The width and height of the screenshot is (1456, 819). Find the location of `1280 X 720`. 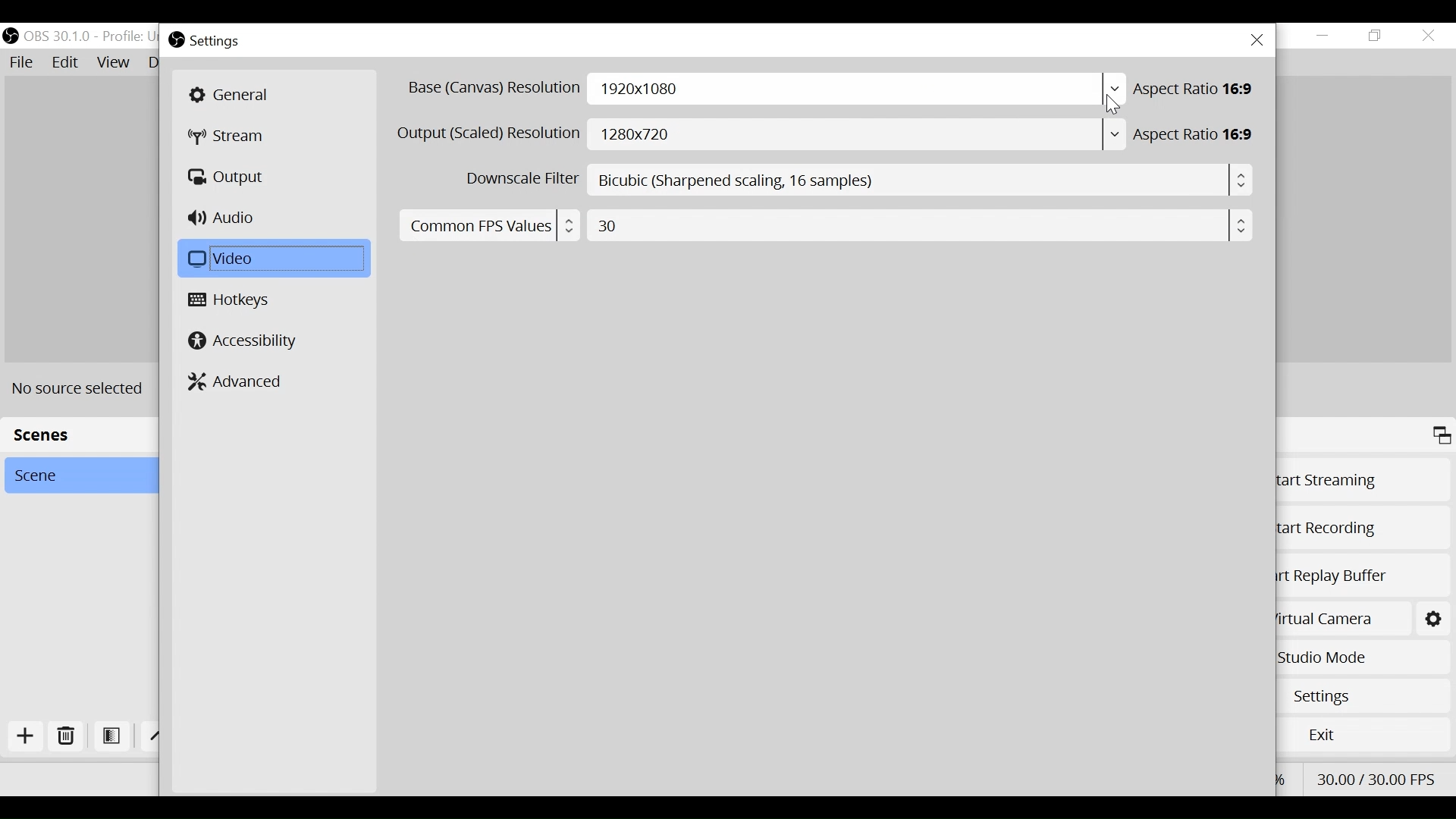

1280 X 720 is located at coordinates (859, 135).